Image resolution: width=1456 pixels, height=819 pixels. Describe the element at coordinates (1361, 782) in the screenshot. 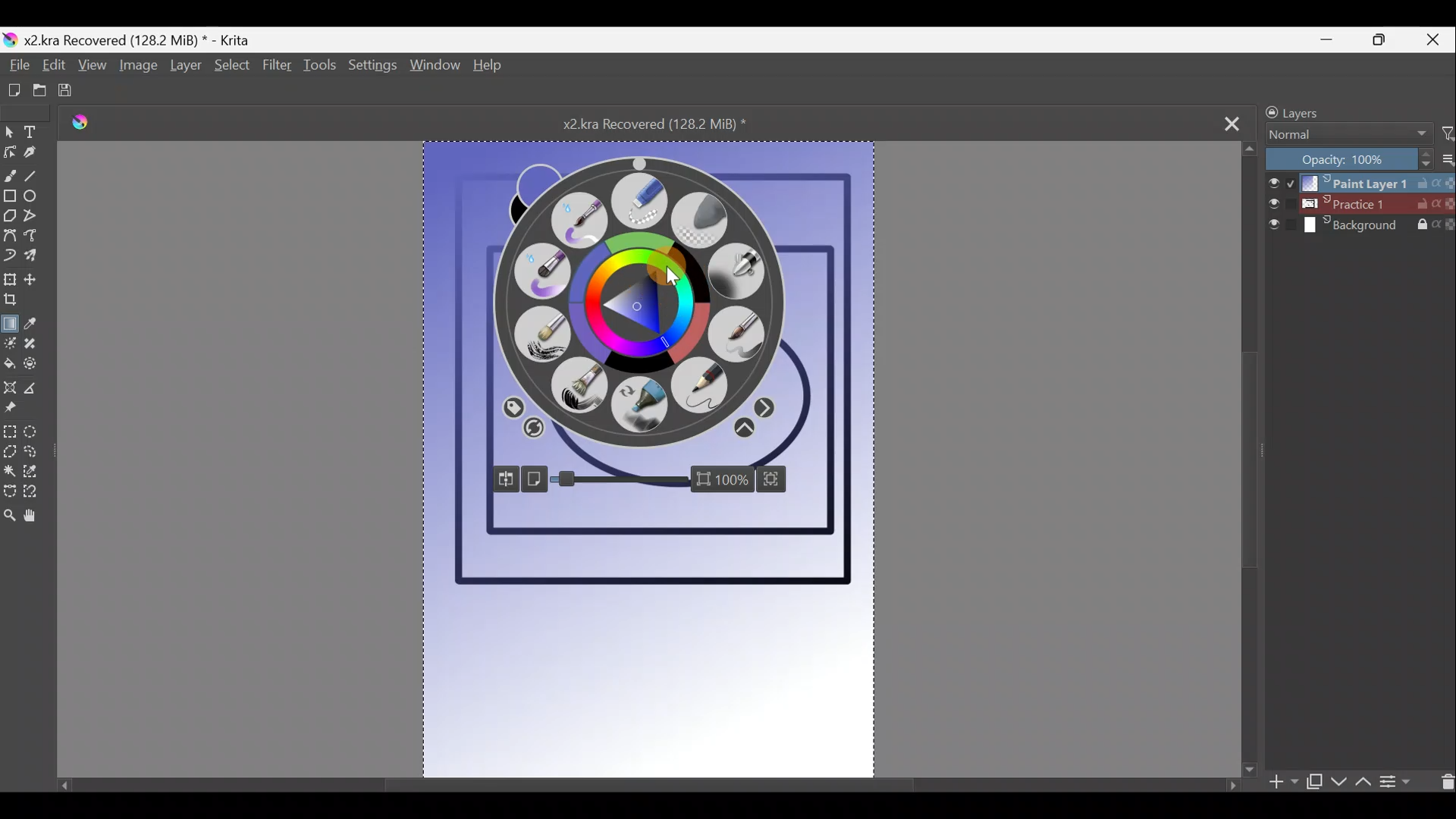

I see `Move layer/mask up` at that location.